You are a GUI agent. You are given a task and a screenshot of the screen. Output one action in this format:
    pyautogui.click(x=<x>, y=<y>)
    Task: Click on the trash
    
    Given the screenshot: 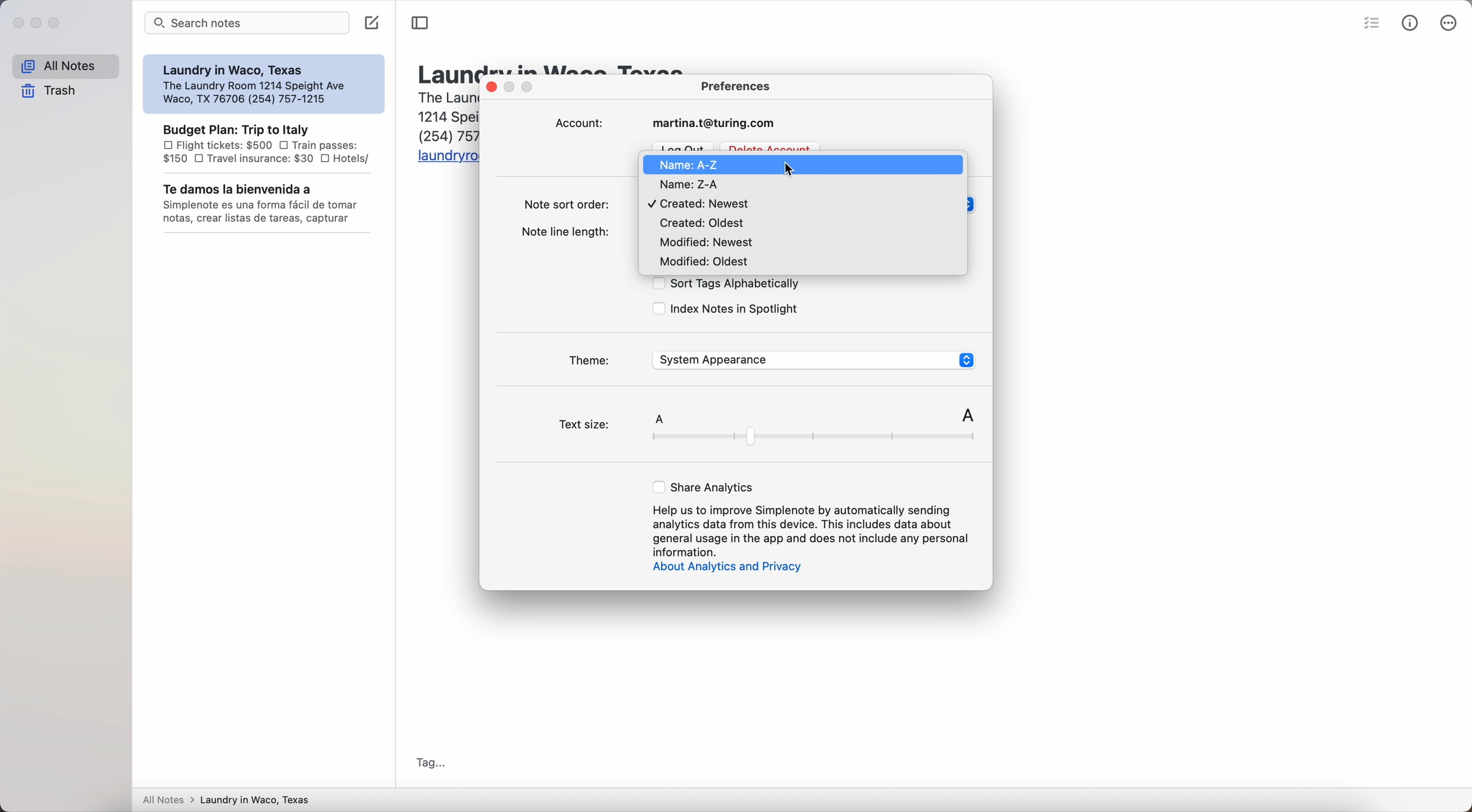 What is the action you would take?
    pyautogui.click(x=49, y=91)
    